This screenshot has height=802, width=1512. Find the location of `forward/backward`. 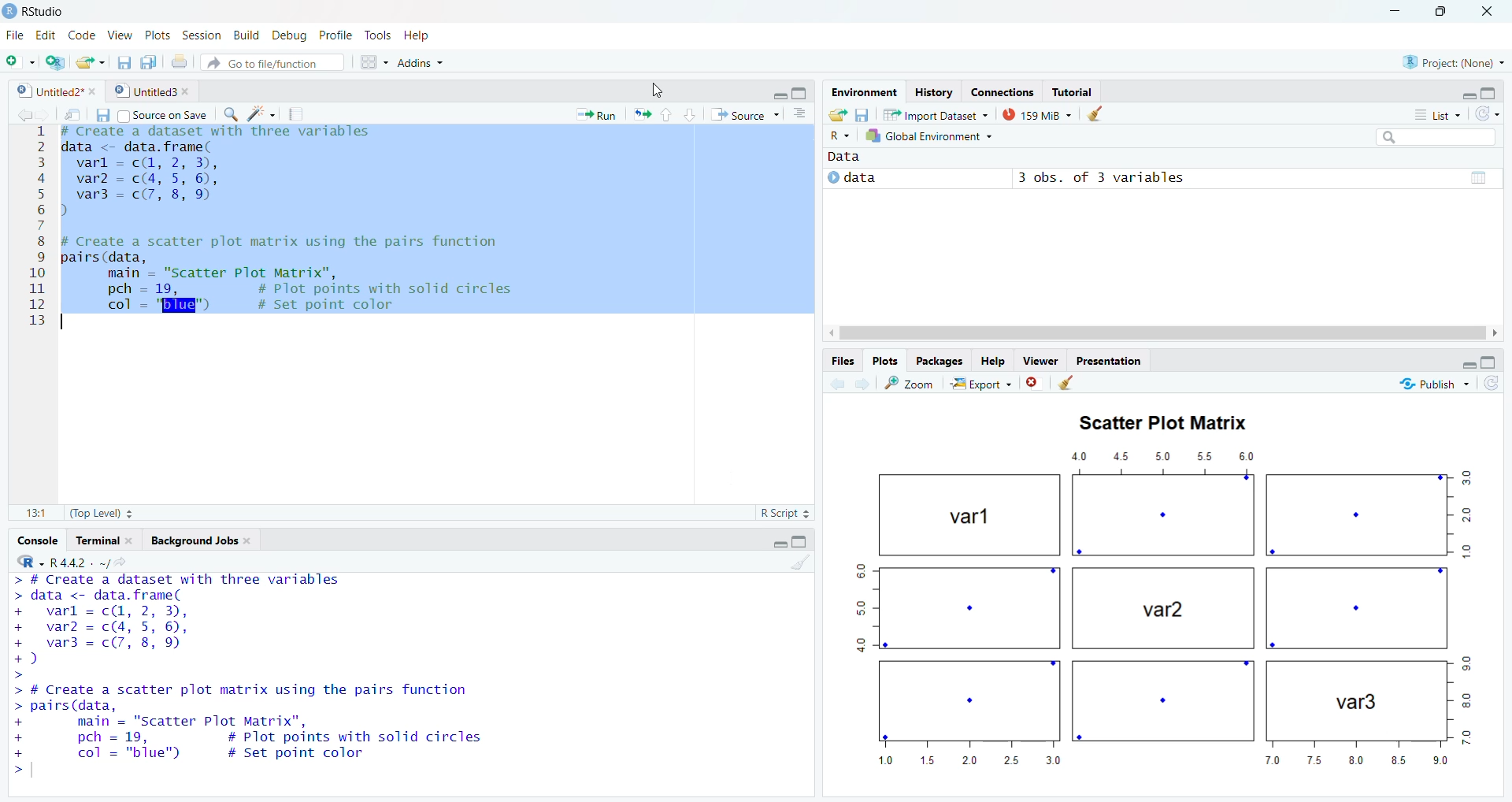

forward/backward is located at coordinates (24, 113).